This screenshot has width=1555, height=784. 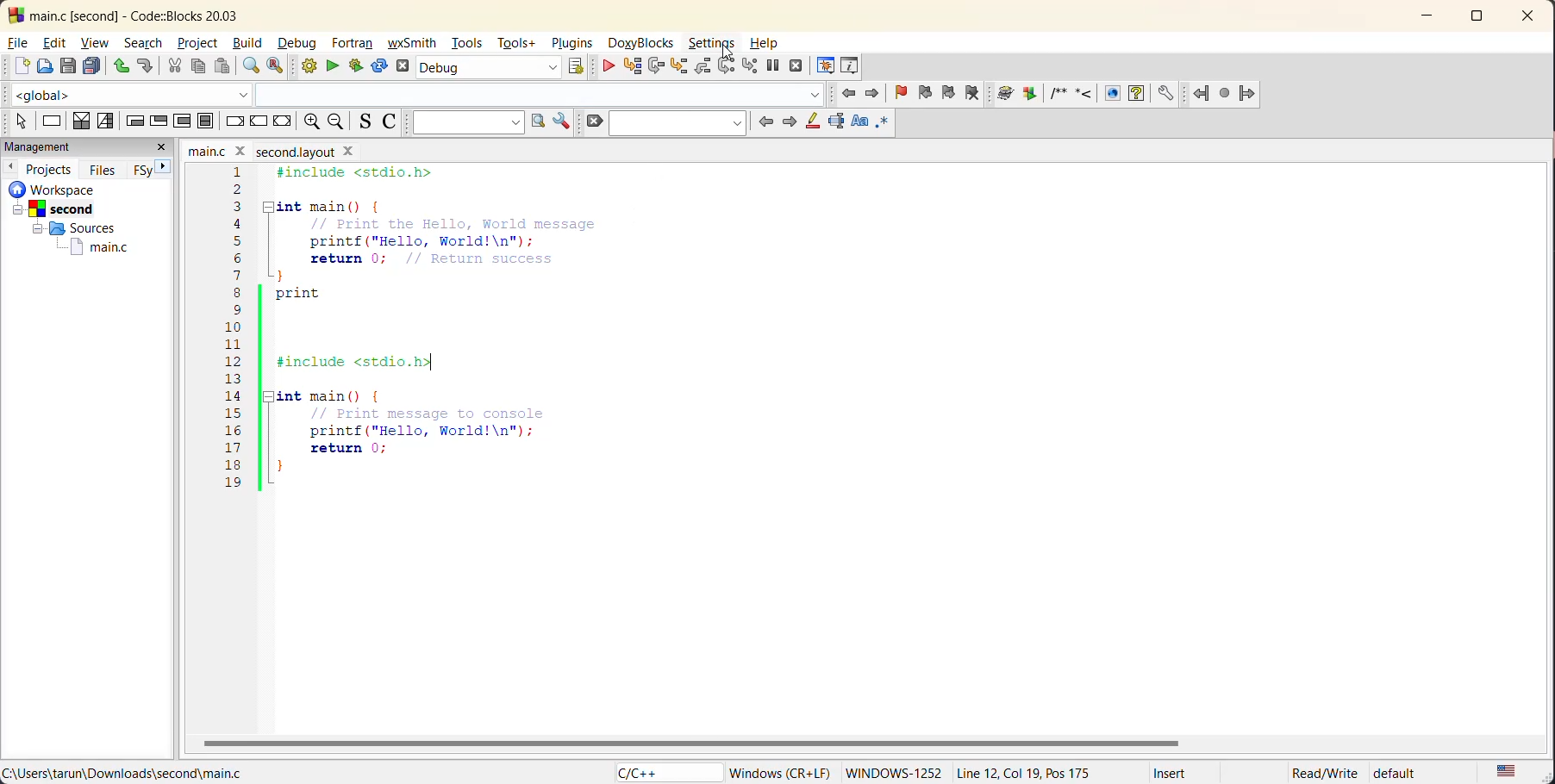 What do you see at coordinates (610, 65) in the screenshot?
I see `debug` at bounding box center [610, 65].